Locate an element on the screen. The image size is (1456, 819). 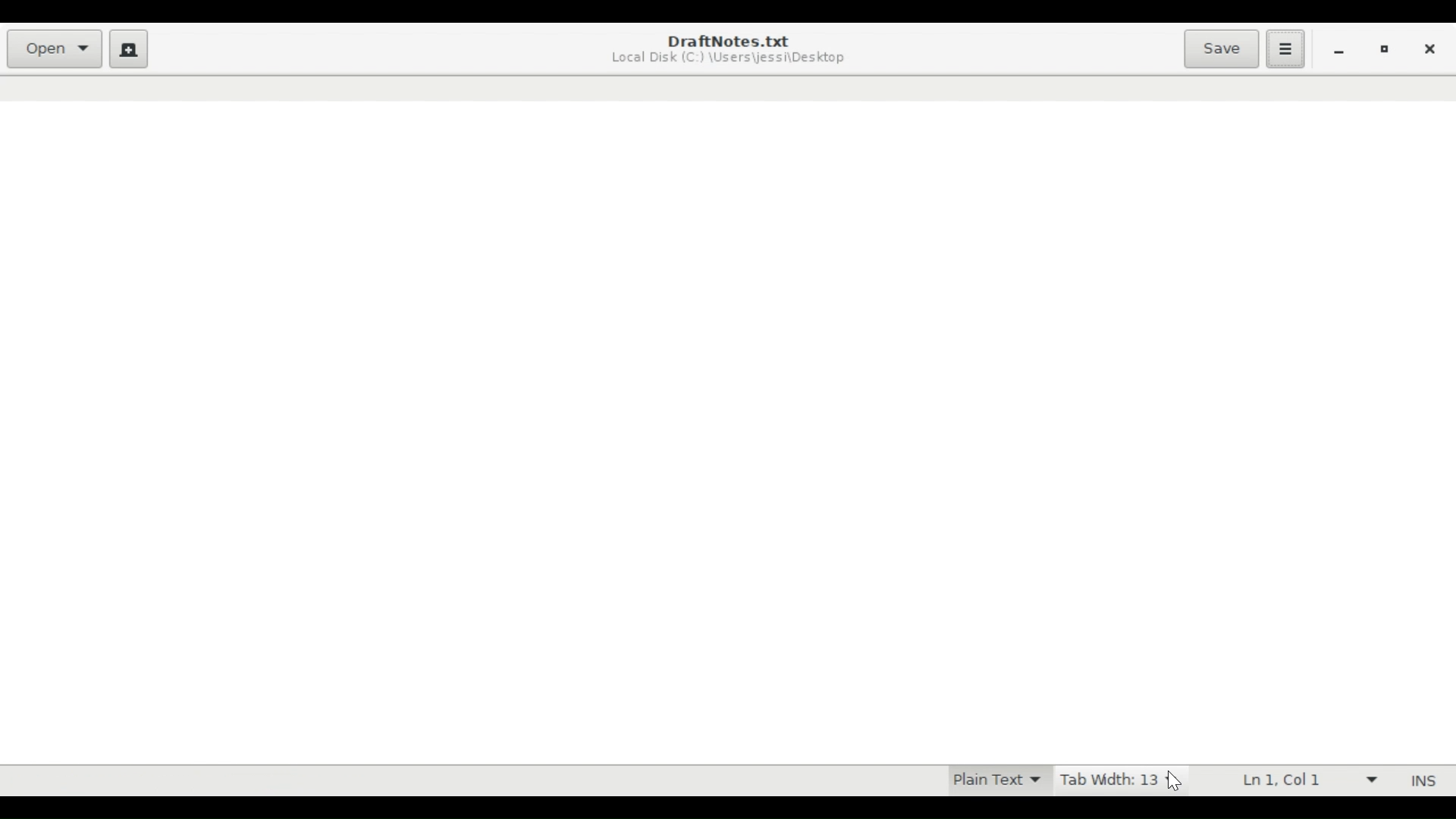
Plain Text is located at coordinates (993, 781).